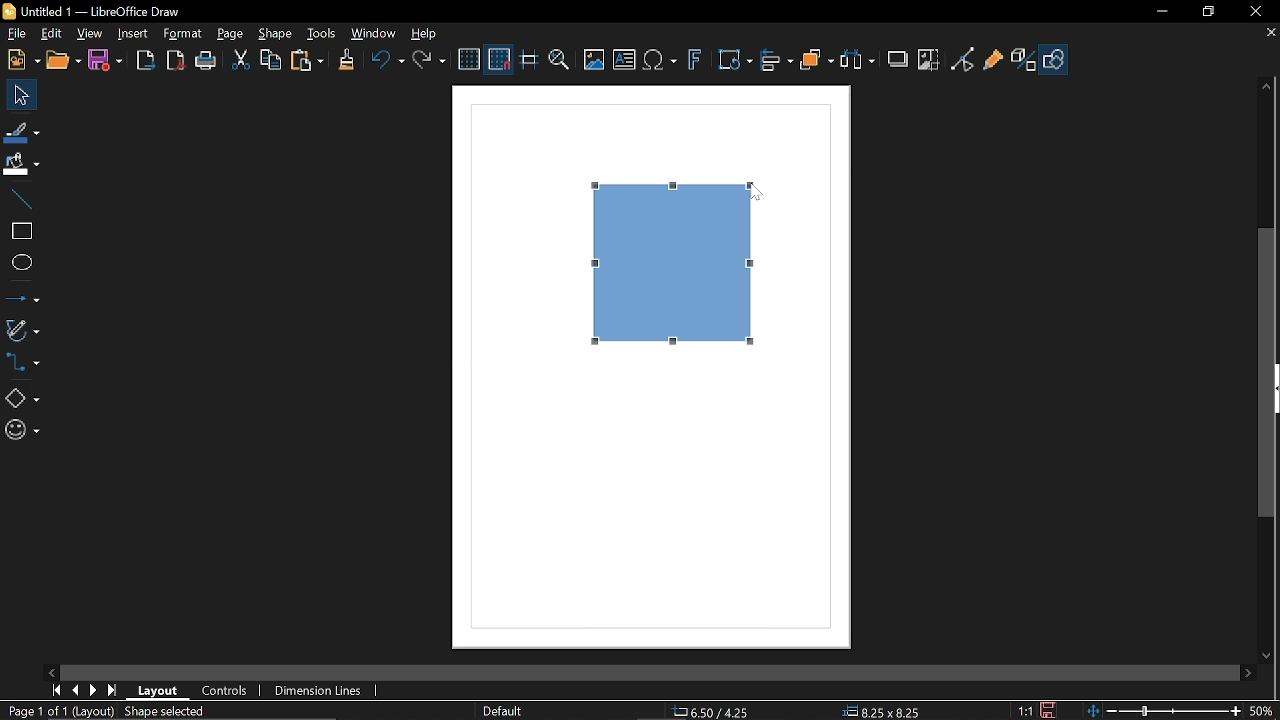 Image resolution: width=1280 pixels, height=720 pixels. I want to click on 8.25x8.25 (Object Size), so click(880, 712).